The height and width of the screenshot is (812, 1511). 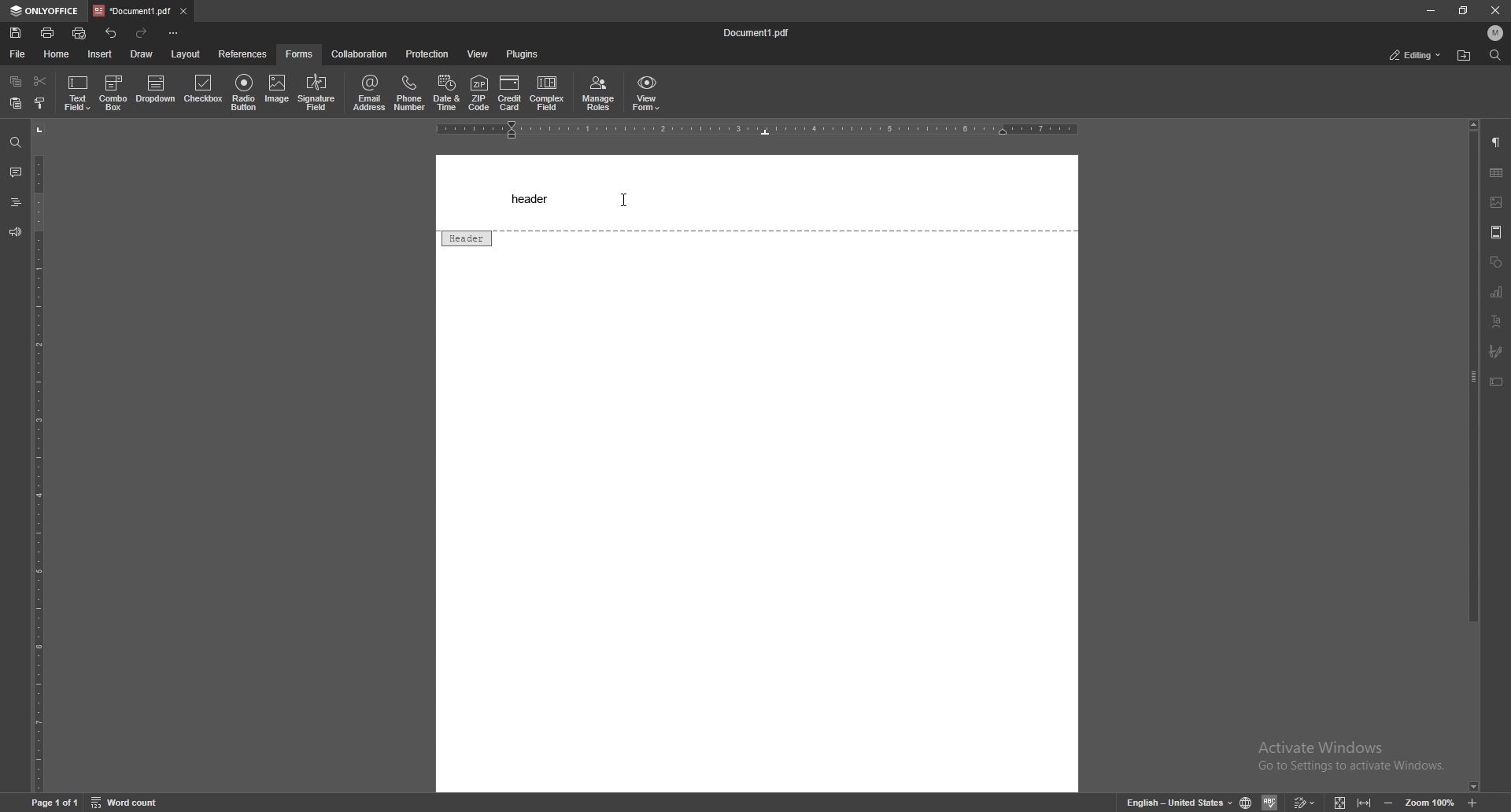 I want to click on status, so click(x=1417, y=56).